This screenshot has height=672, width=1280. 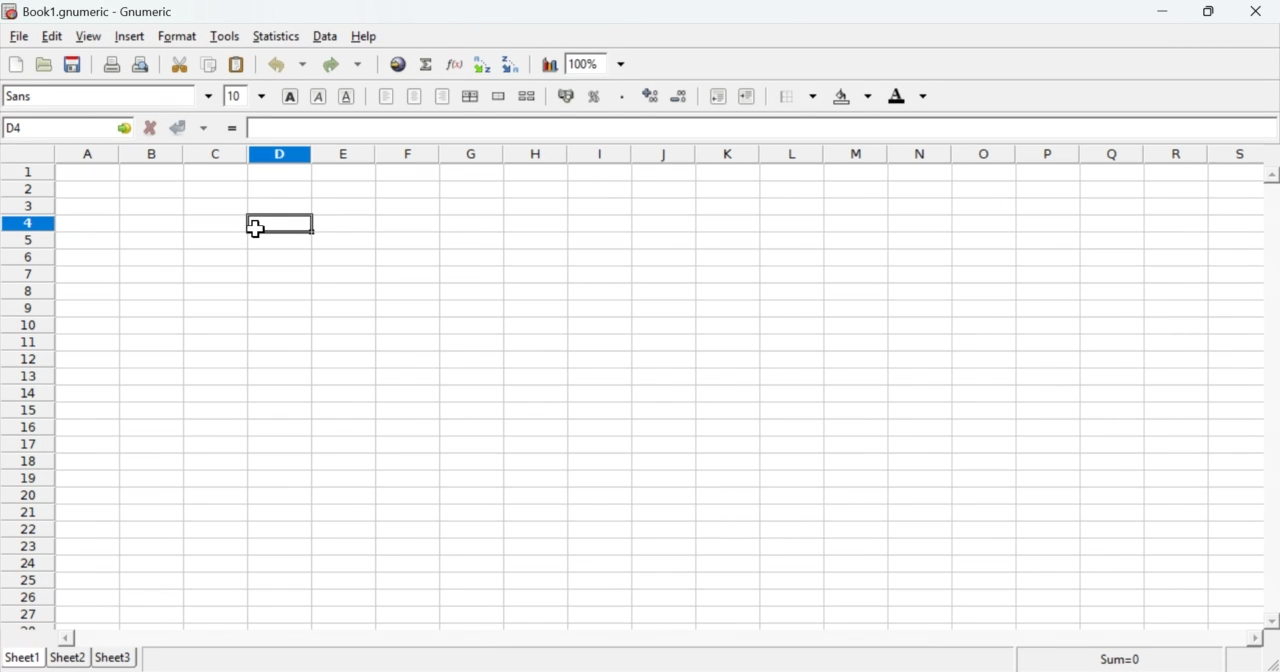 What do you see at coordinates (399, 64) in the screenshot?
I see `Insert hyperlink` at bounding box center [399, 64].